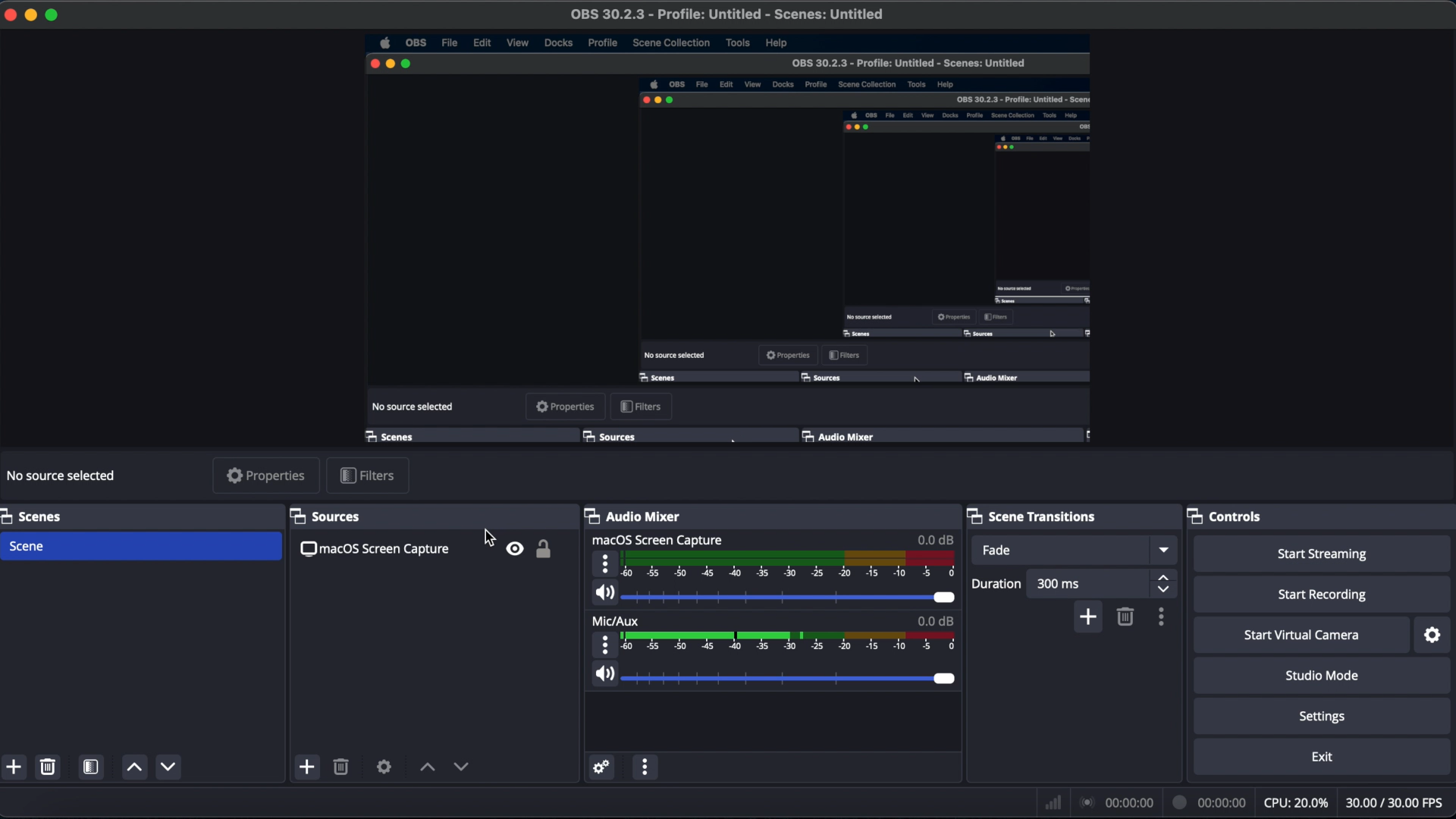  Describe the element at coordinates (1087, 617) in the screenshot. I see `add configurable transition` at that location.